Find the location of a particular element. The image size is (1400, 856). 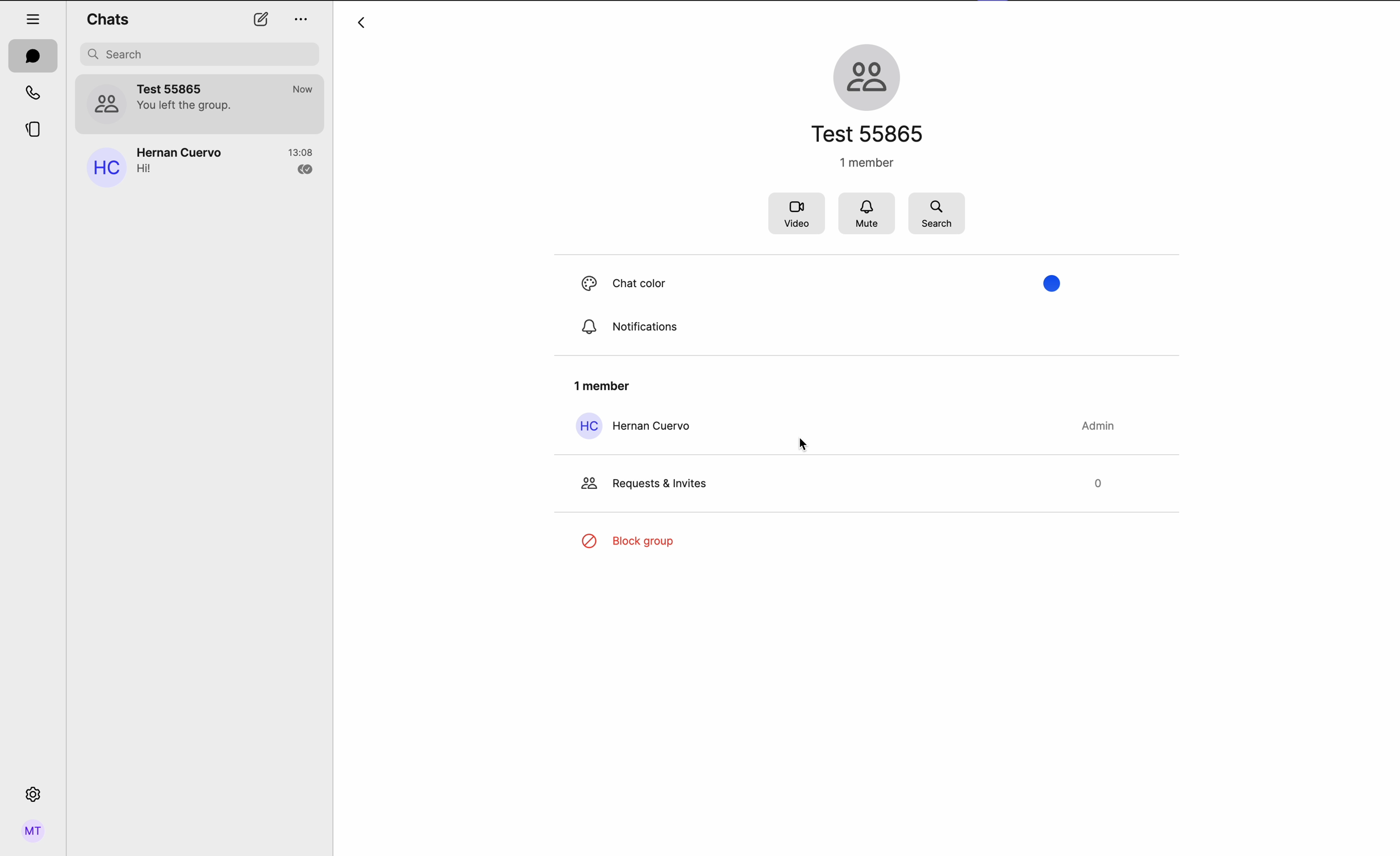

chats is located at coordinates (32, 55).